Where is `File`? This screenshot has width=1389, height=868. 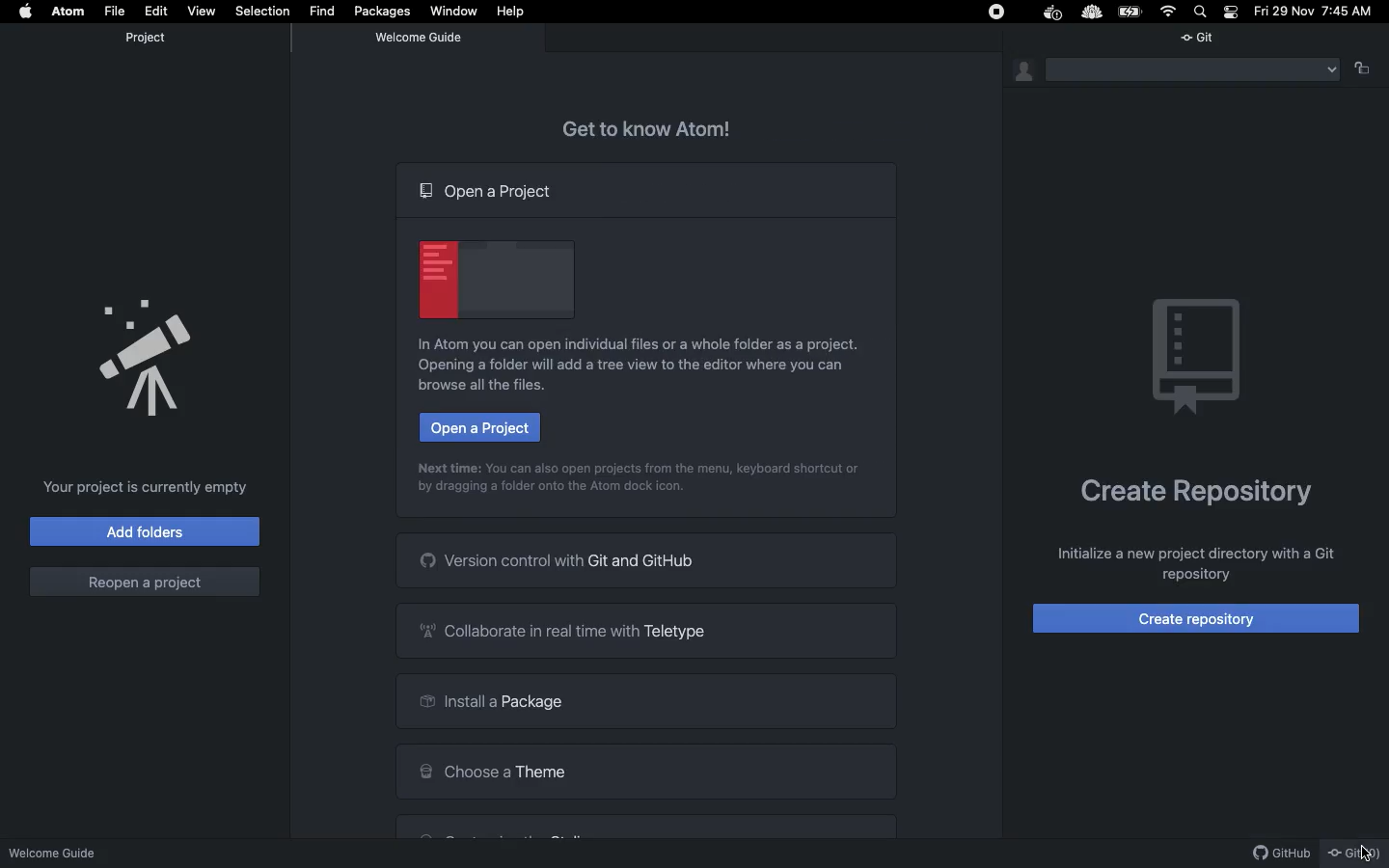 File is located at coordinates (117, 10).